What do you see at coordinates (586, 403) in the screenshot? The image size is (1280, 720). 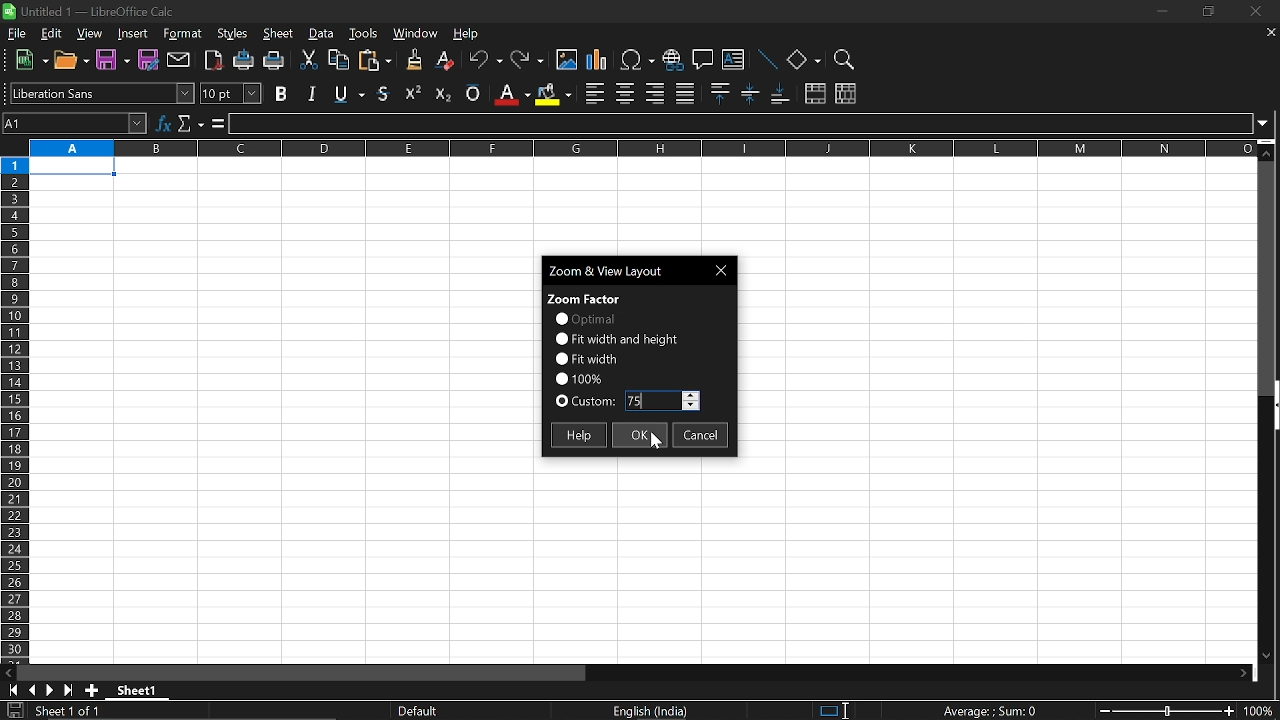 I see `custom` at bounding box center [586, 403].